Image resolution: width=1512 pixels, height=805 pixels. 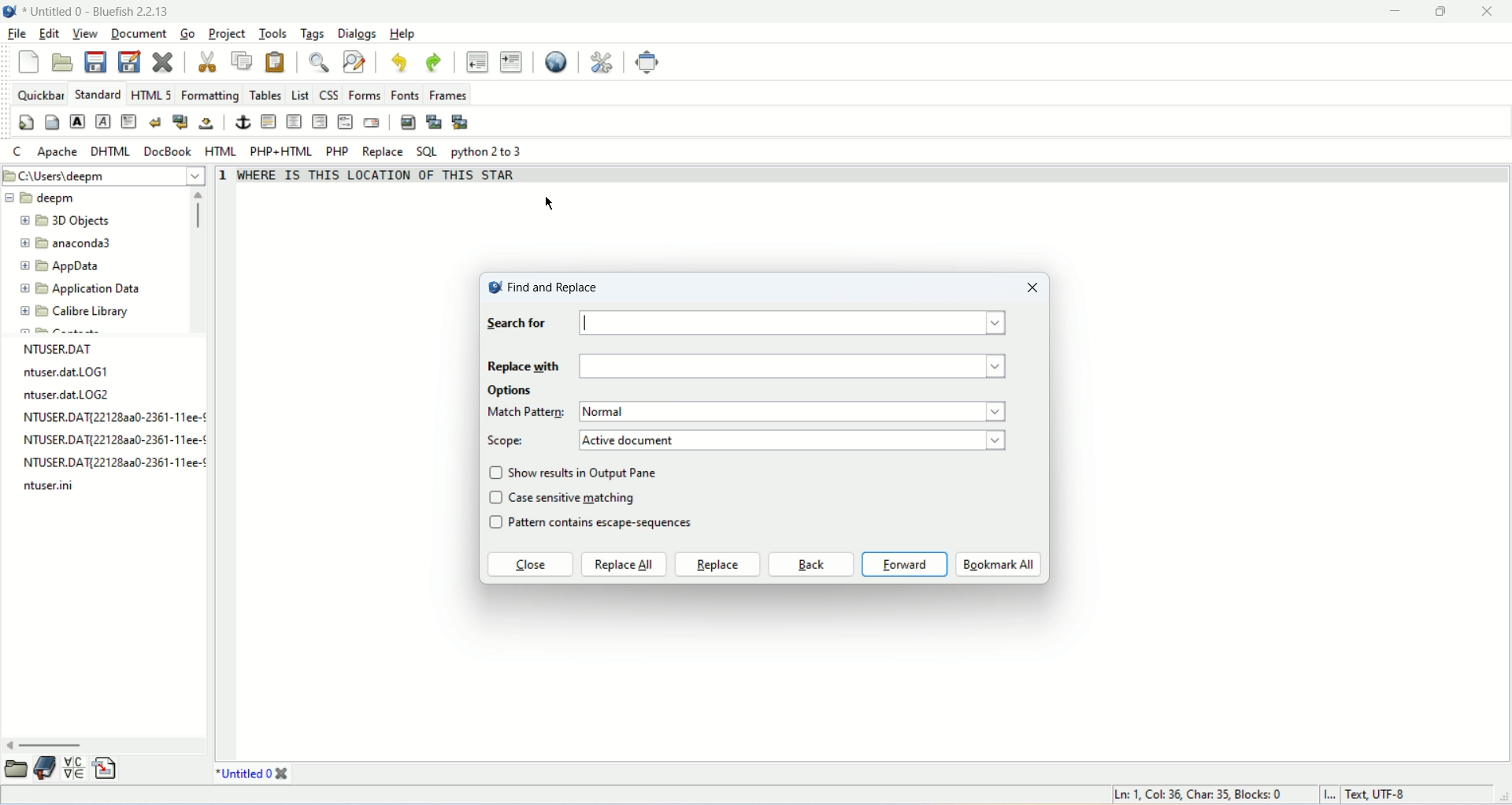 What do you see at coordinates (602, 63) in the screenshot?
I see `preferences` at bounding box center [602, 63].